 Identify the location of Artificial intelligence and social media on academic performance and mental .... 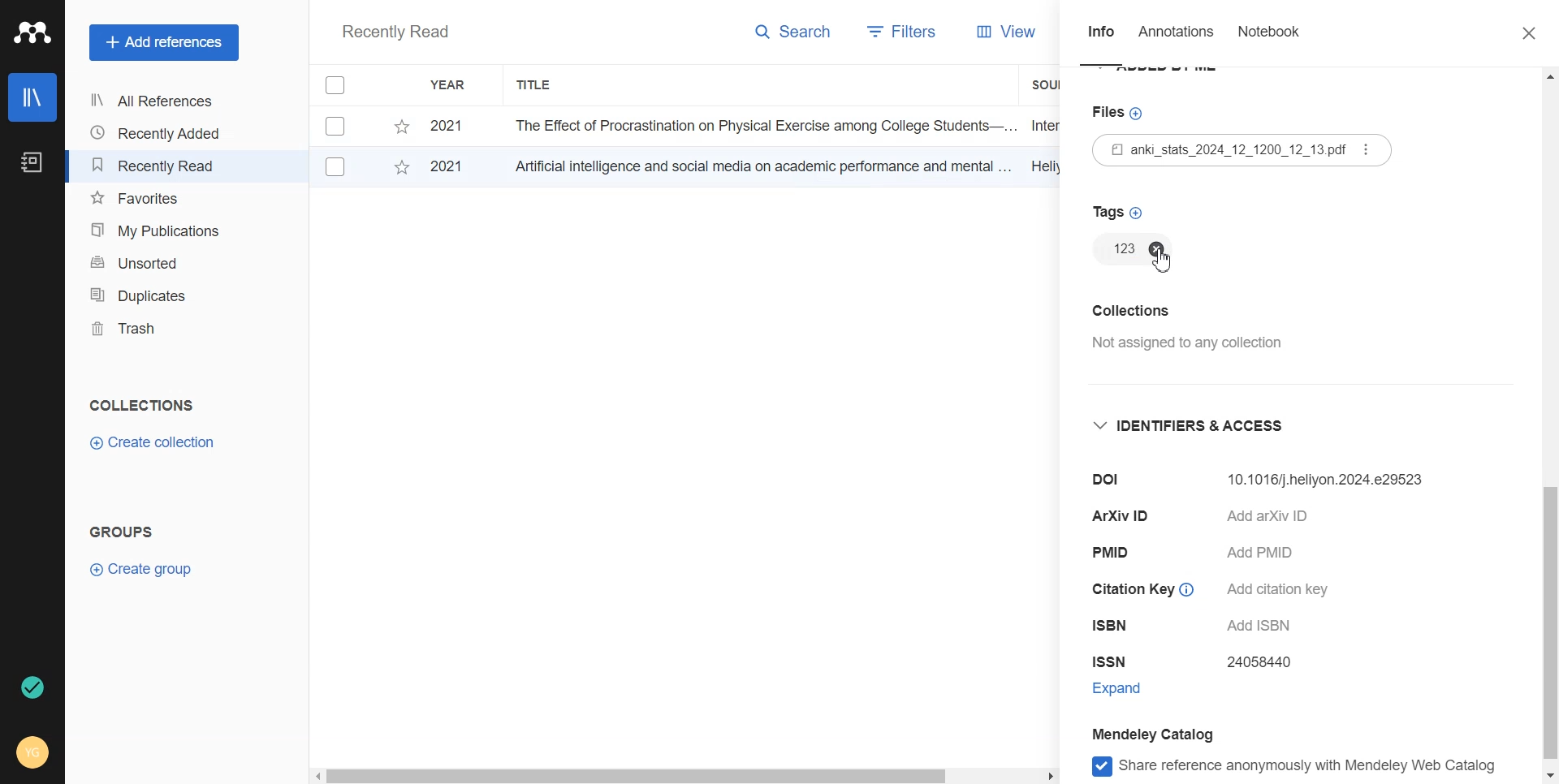
(760, 166).